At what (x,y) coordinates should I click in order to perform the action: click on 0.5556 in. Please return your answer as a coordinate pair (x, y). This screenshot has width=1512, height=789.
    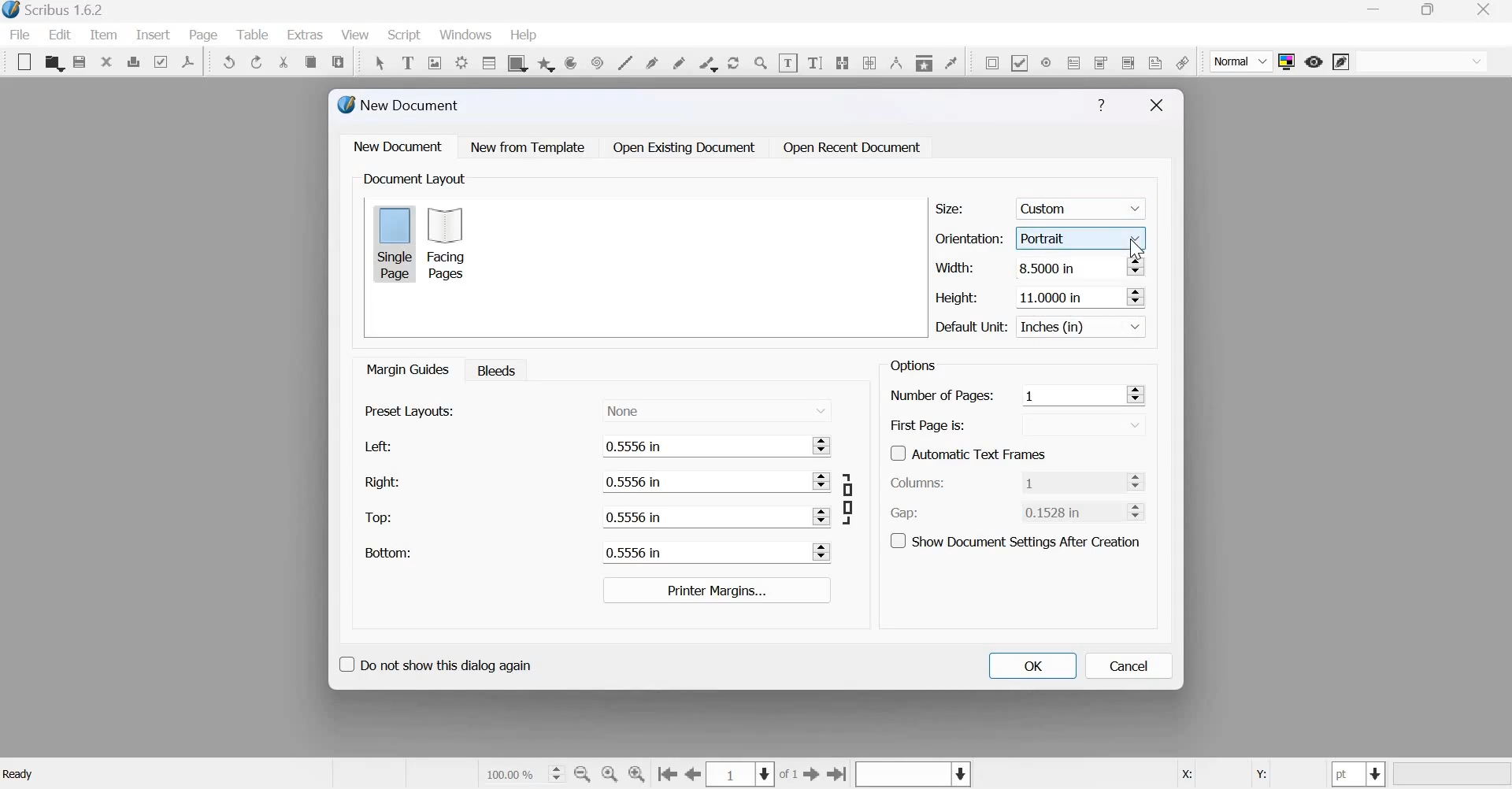
    Looking at the image, I should click on (698, 552).